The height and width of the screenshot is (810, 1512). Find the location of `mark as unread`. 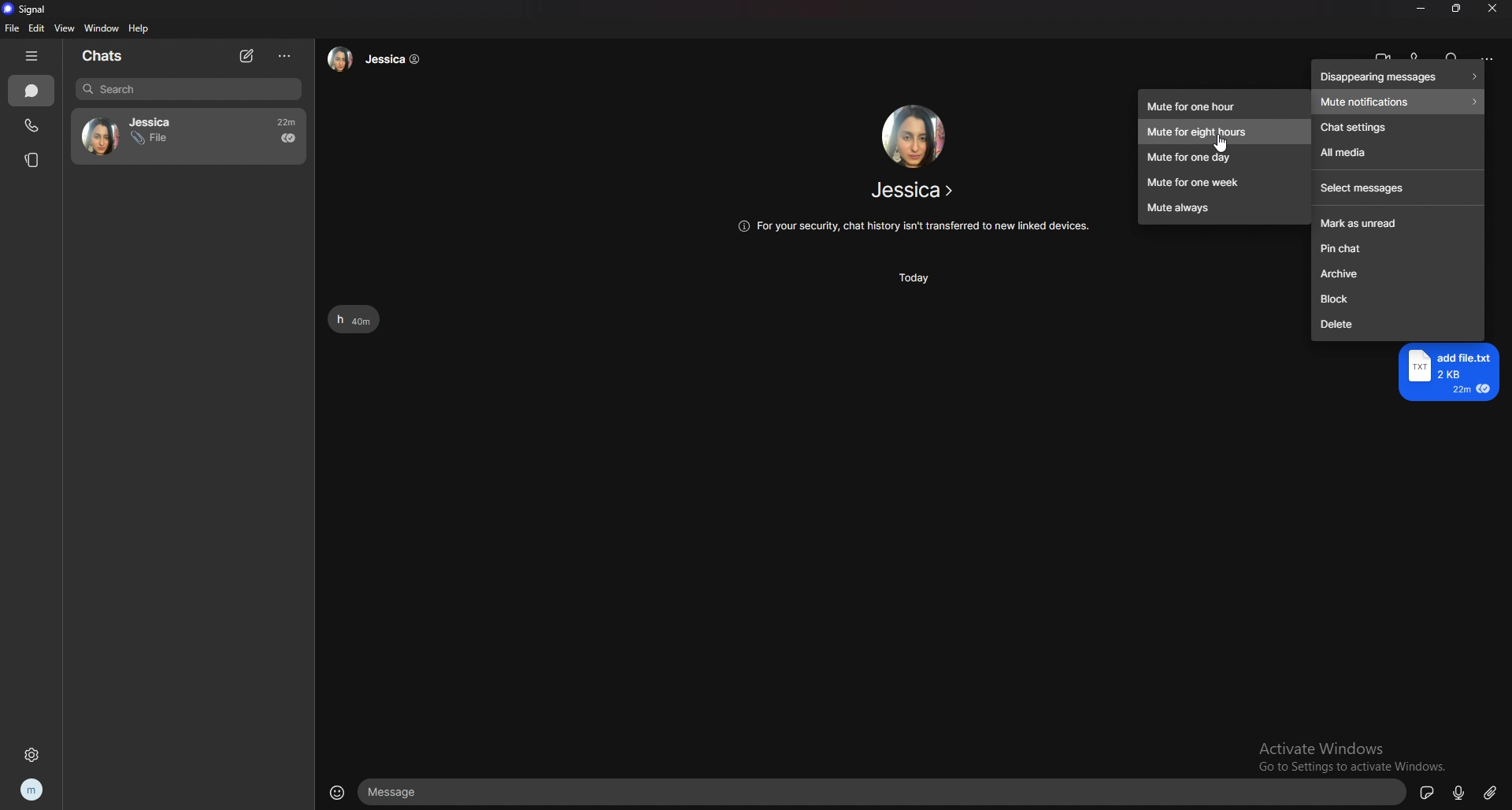

mark as unread is located at coordinates (1398, 223).